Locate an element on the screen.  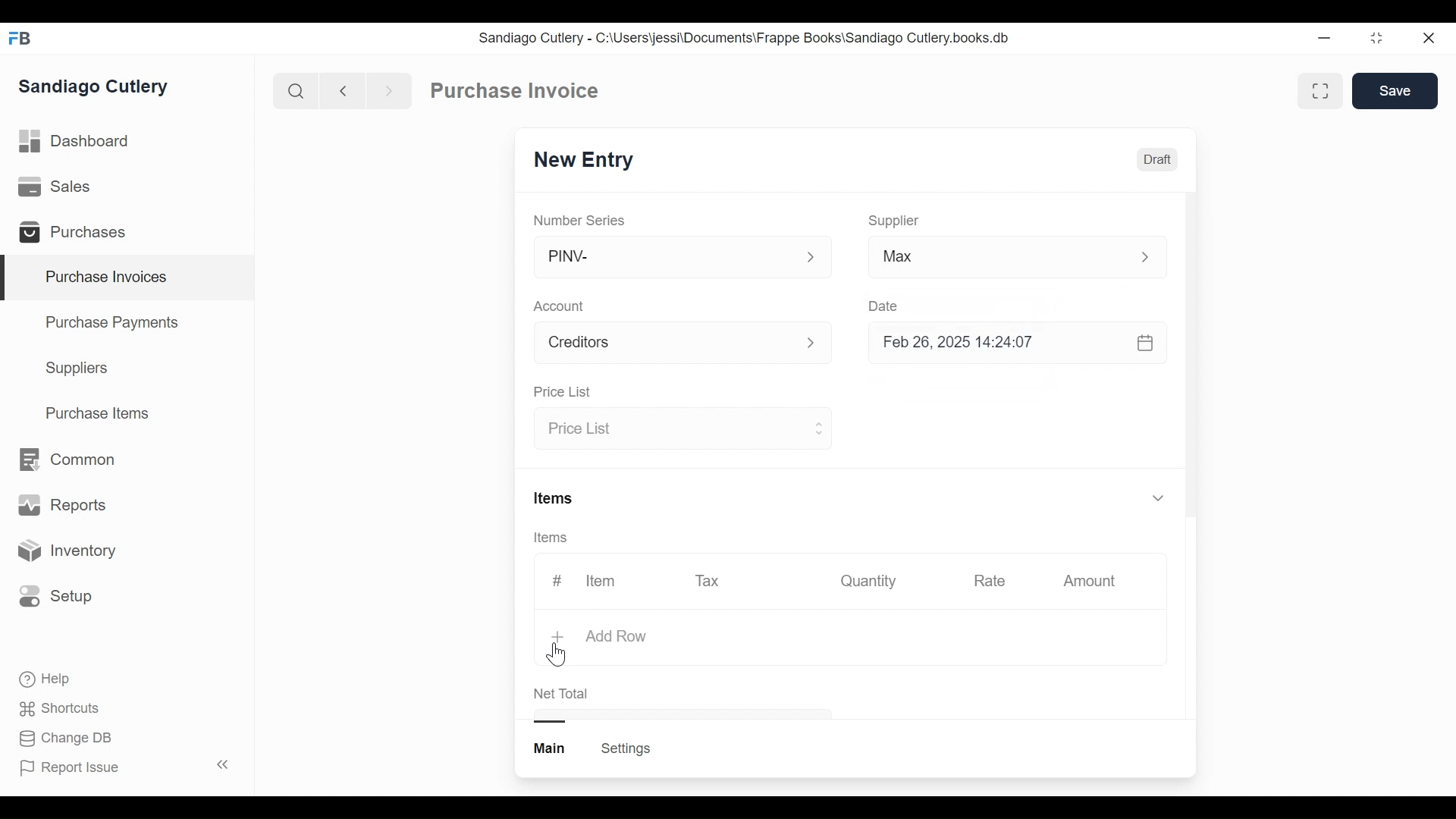
Net Total is located at coordinates (562, 694).